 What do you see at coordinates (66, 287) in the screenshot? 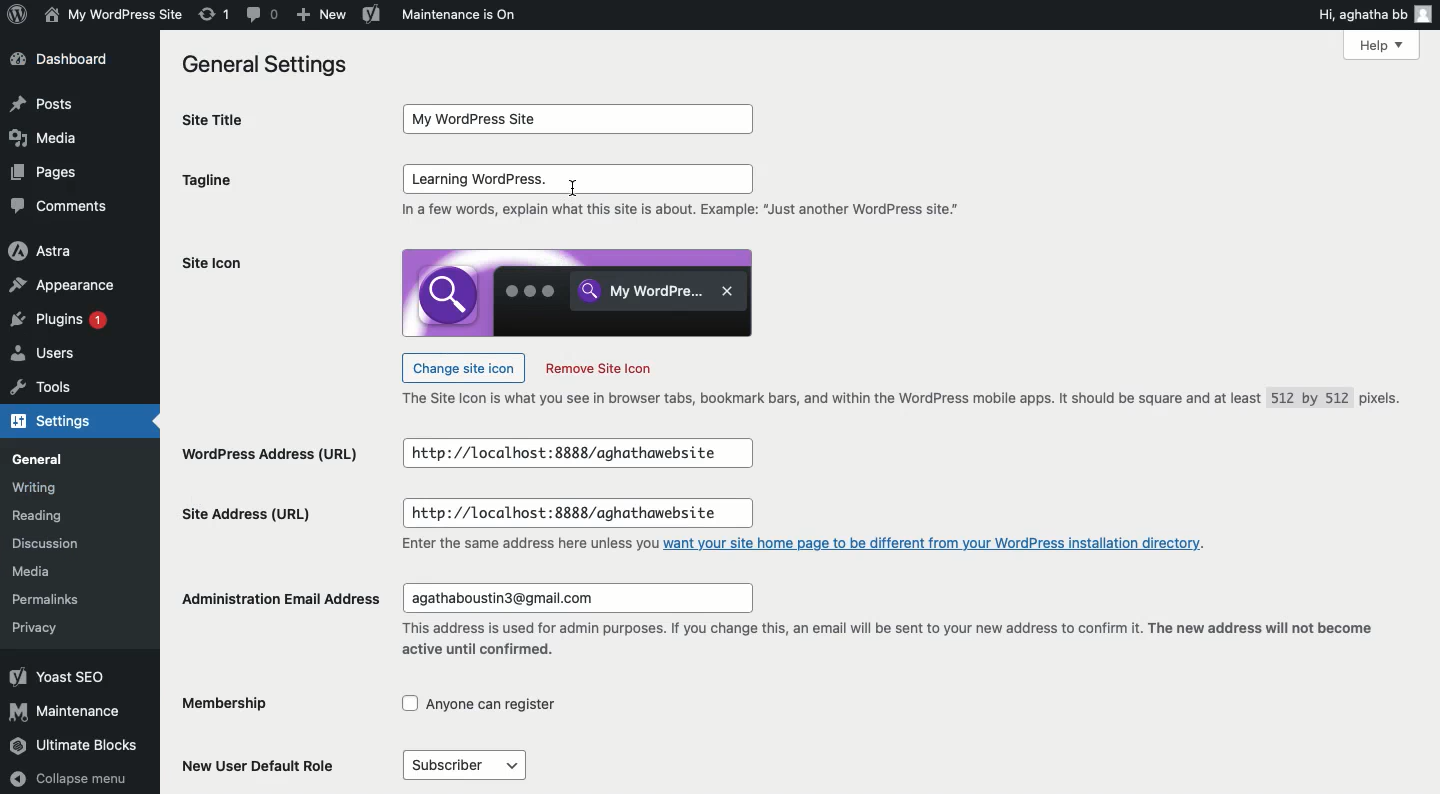
I see `Appearance` at bounding box center [66, 287].